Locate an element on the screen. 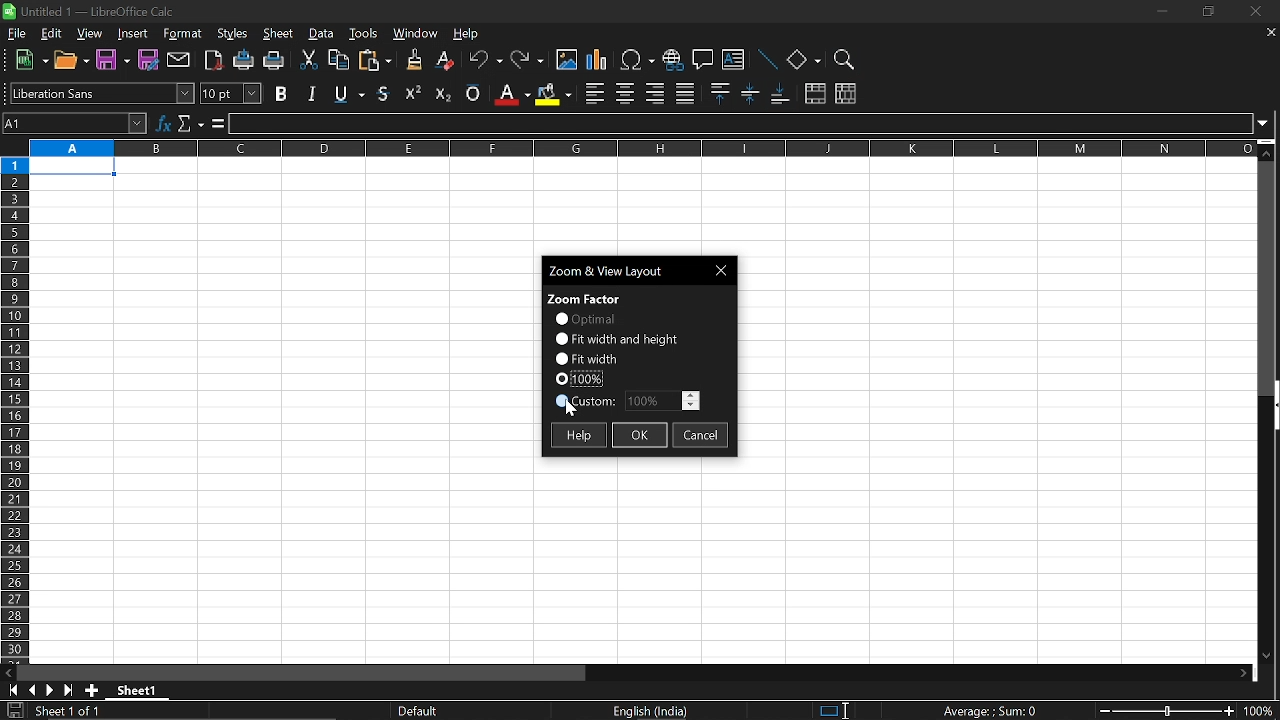 The height and width of the screenshot is (720, 1280). bold is located at coordinates (283, 93).